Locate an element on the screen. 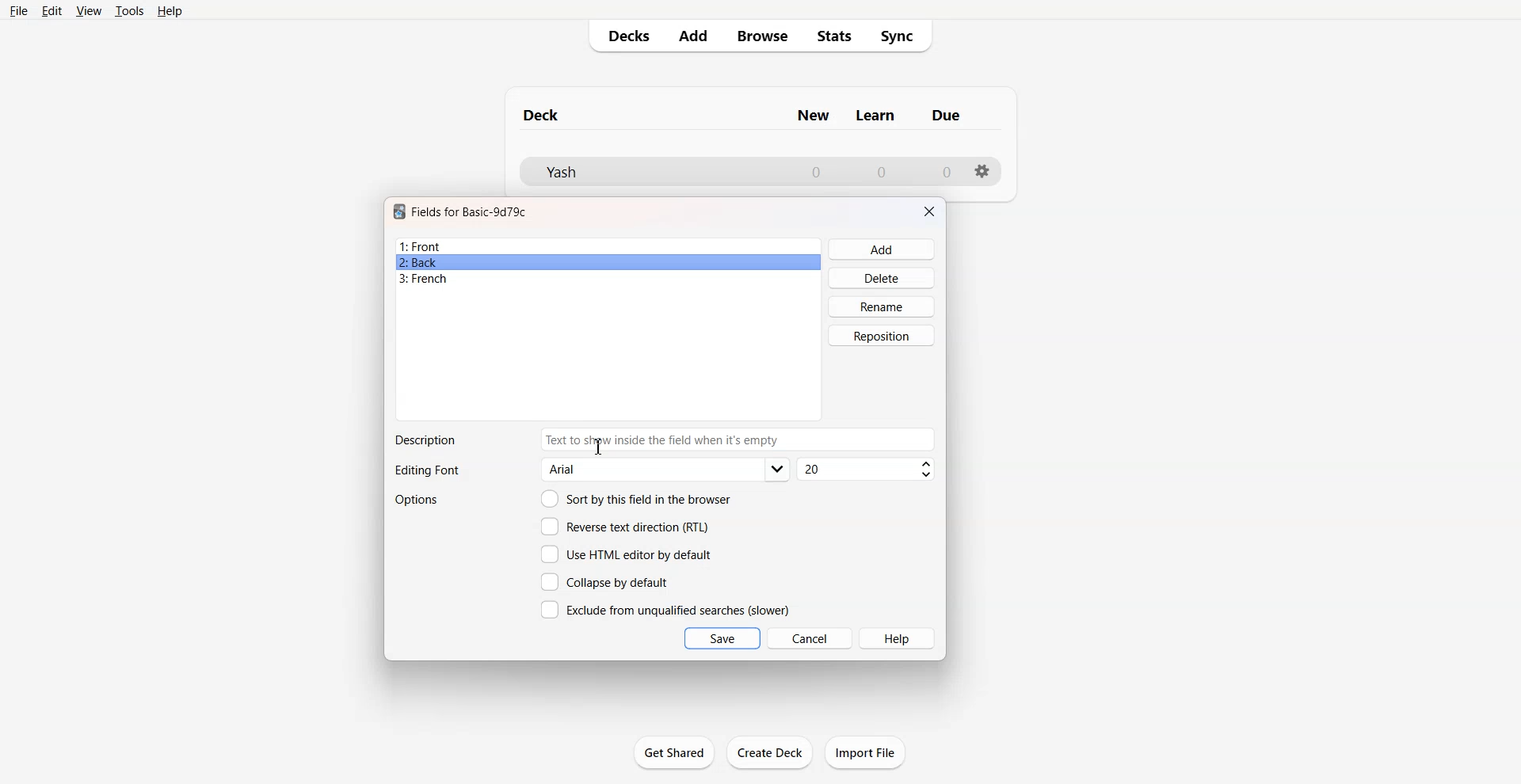 The width and height of the screenshot is (1521, 784). Help is located at coordinates (170, 11).